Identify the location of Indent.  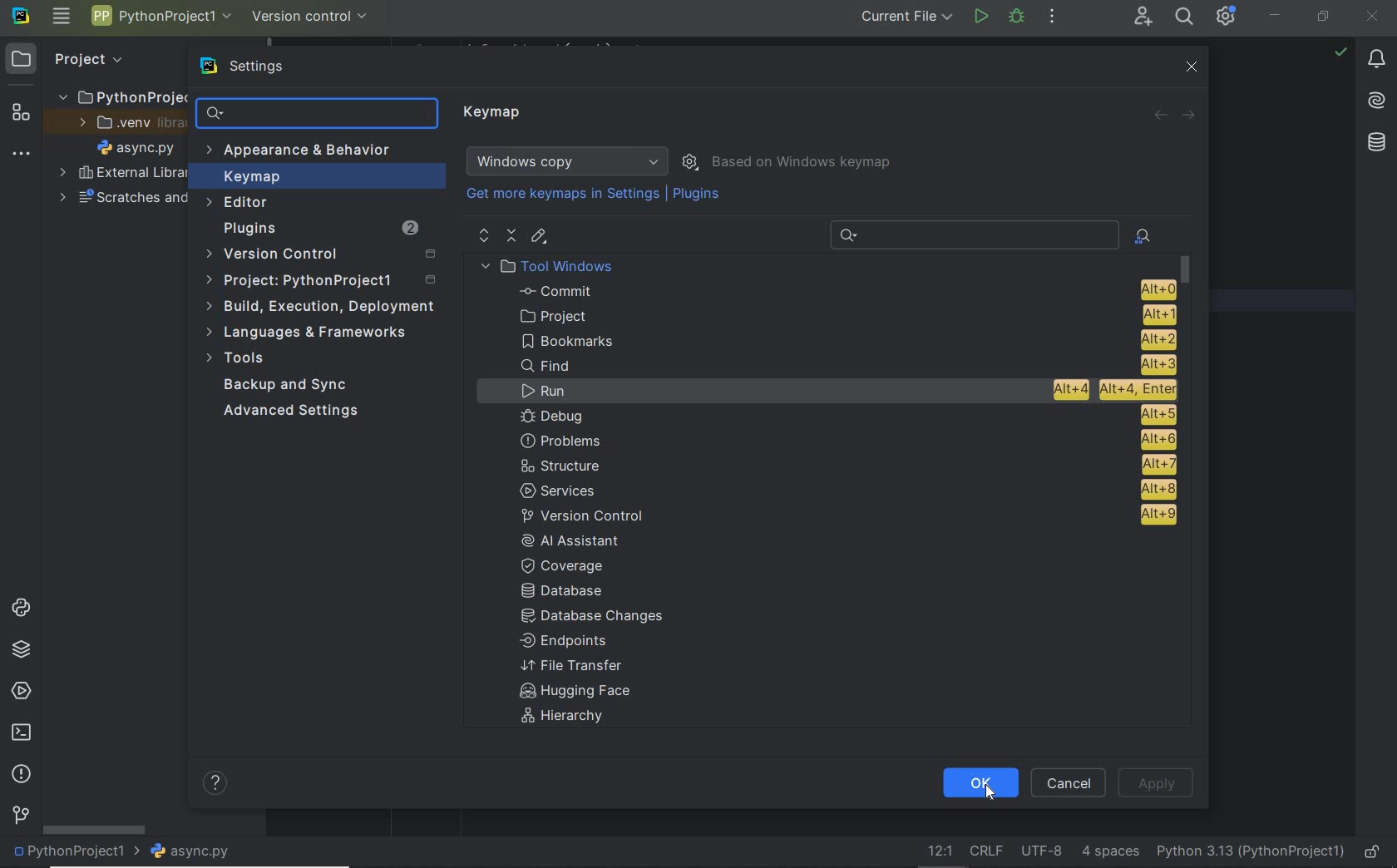
(1110, 853).